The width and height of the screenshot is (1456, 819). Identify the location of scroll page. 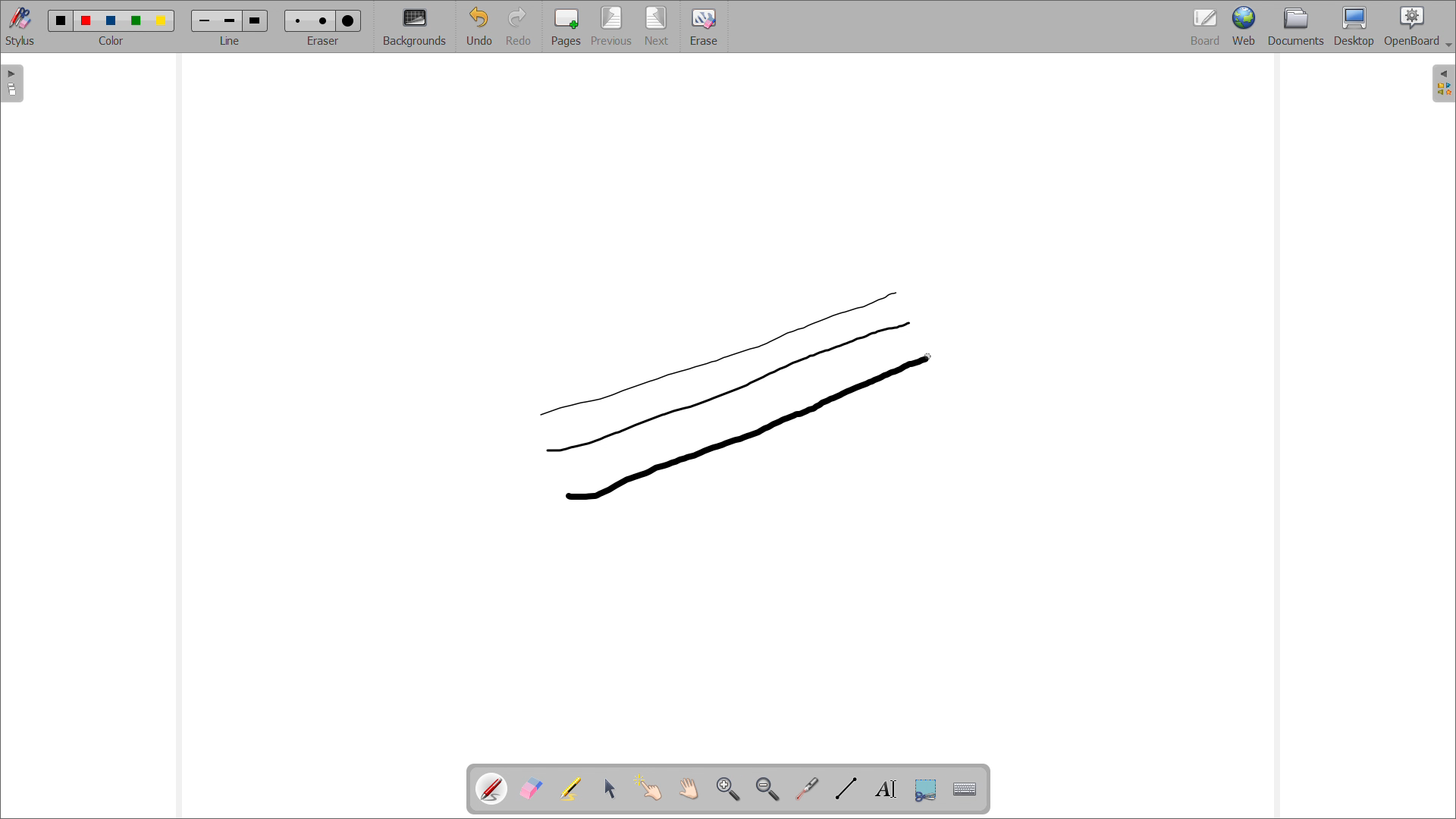
(689, 788).